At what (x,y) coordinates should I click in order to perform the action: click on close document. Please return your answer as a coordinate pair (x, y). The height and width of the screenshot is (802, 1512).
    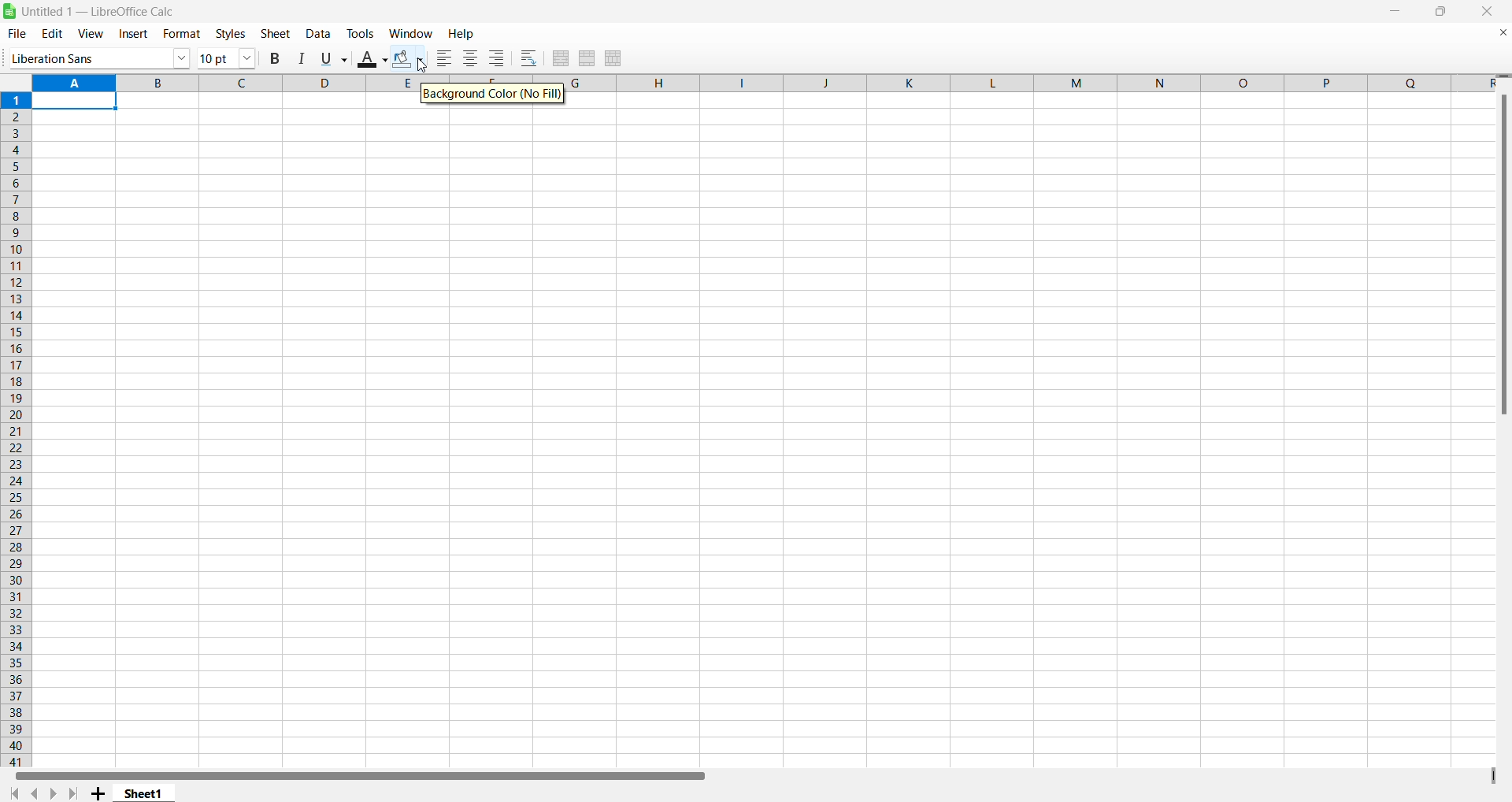
    Looking at the image, I should click on (1497, 33).